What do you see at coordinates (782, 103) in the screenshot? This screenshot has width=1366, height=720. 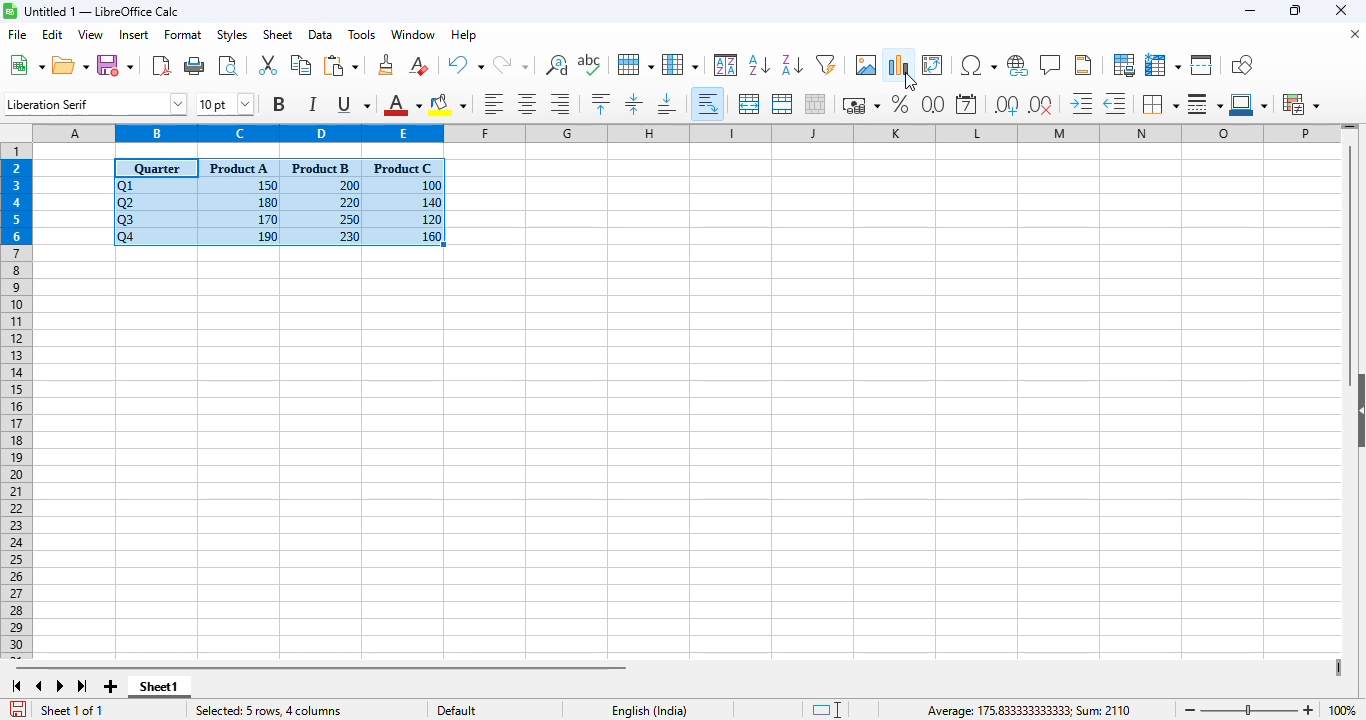 I see `merge cells` at bounding box center [782, 103].